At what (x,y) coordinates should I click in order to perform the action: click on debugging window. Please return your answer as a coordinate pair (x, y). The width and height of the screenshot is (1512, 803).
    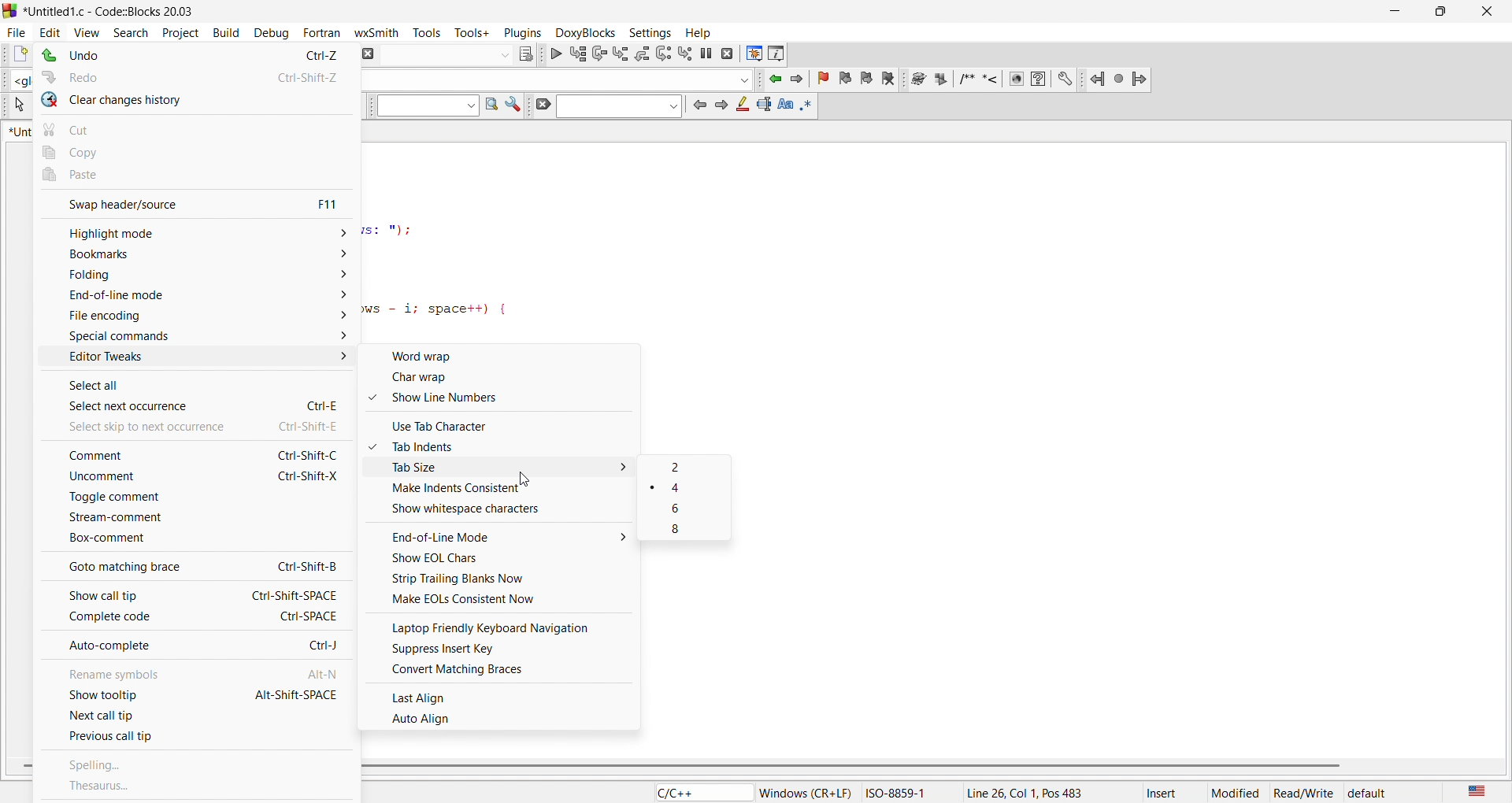
    Looking at the image, I should click on (750, 53).